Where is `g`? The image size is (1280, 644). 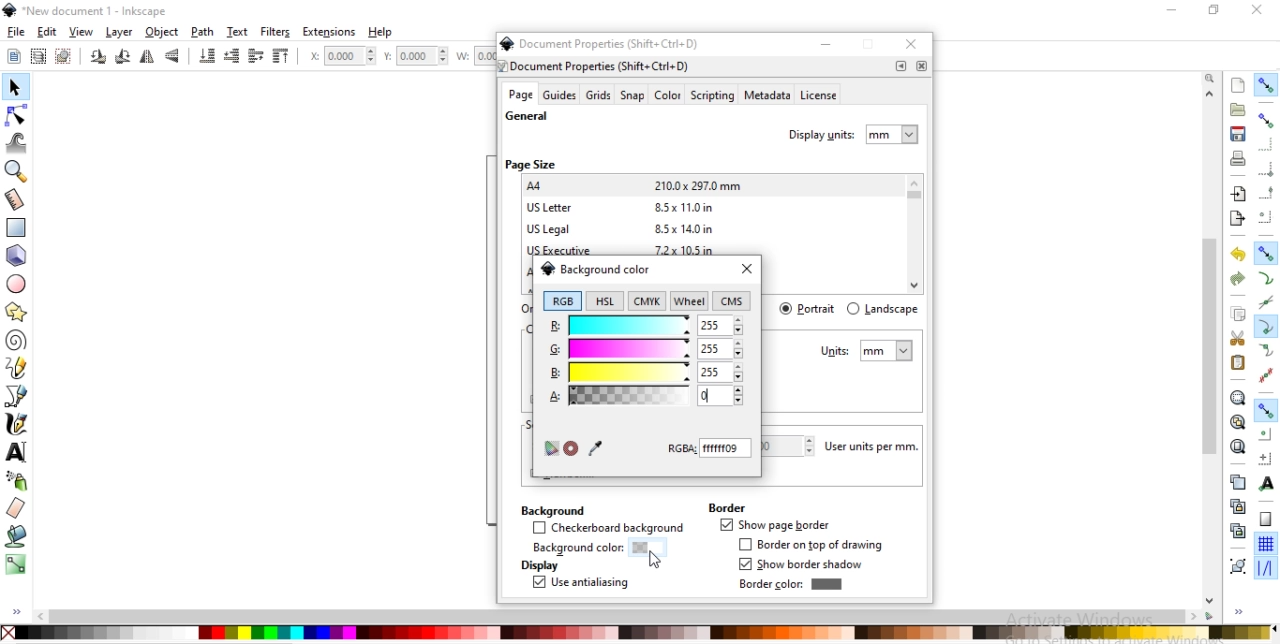 g is located at coordinates (646, 350).